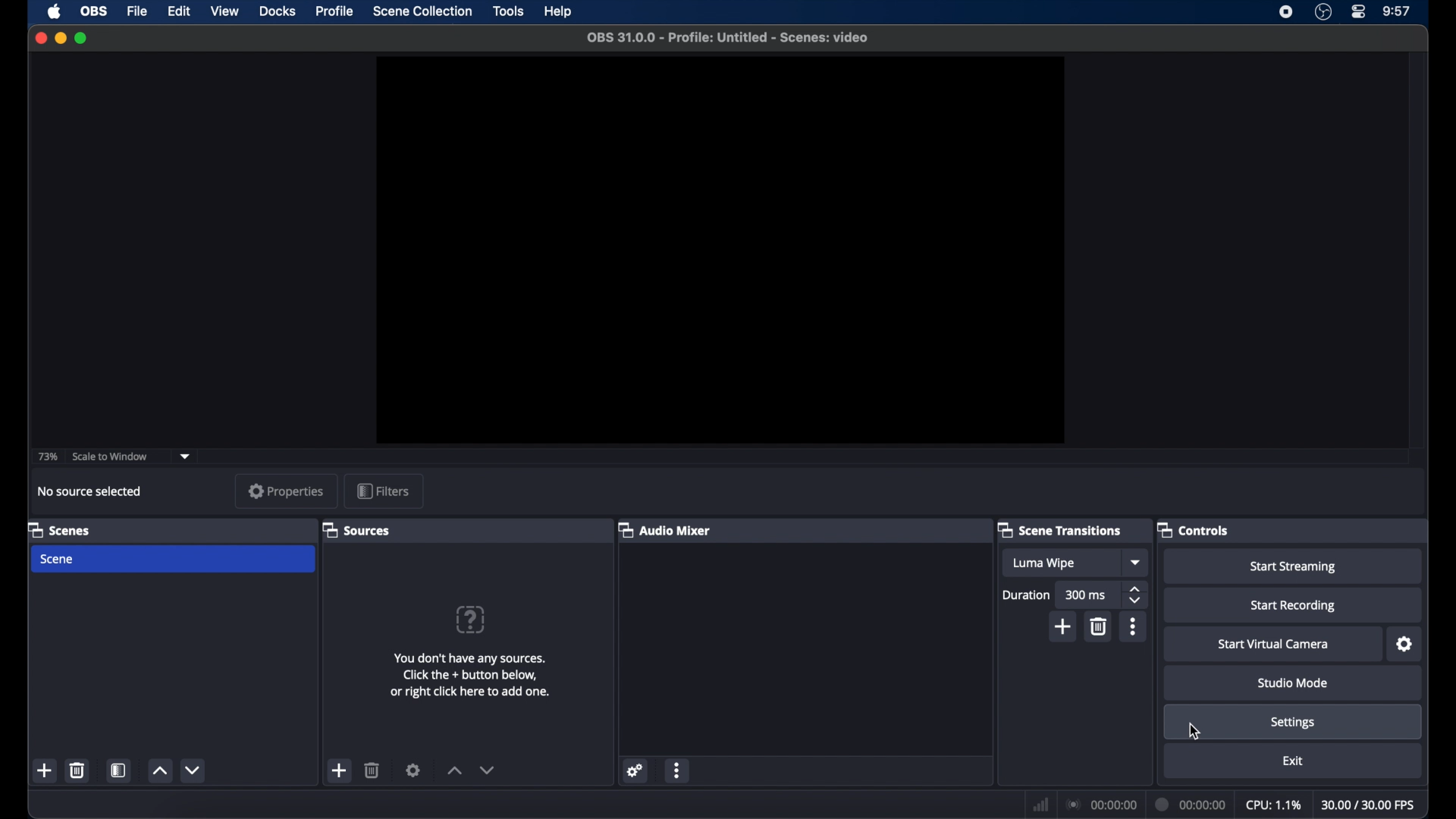  Describe the element at coordinates (46, 457) in the screenshot. I see `73%` at that location.